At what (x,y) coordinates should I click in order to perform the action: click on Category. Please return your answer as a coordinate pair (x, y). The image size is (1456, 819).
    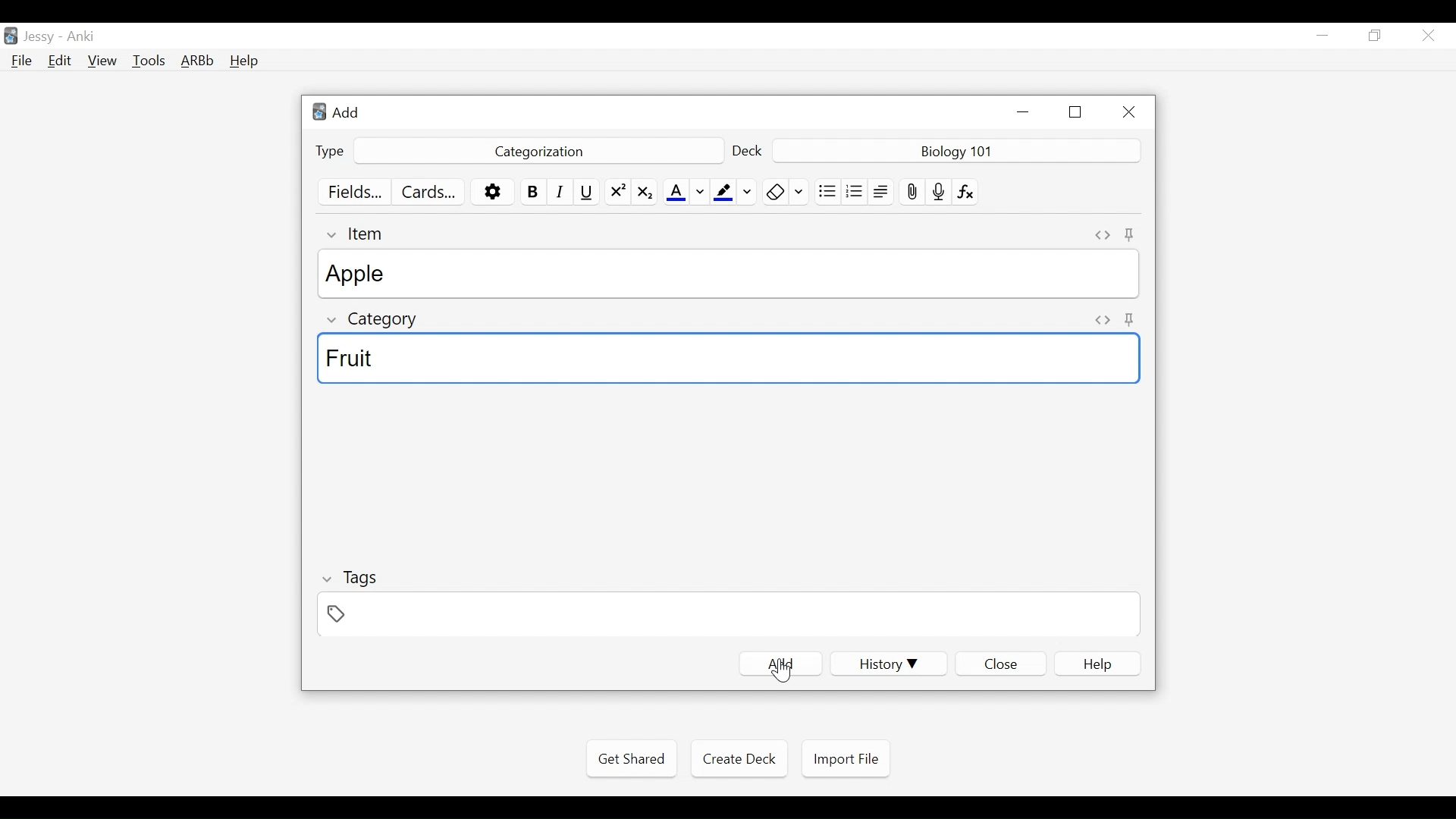
    Looking at the image, I should click on (375, 322).